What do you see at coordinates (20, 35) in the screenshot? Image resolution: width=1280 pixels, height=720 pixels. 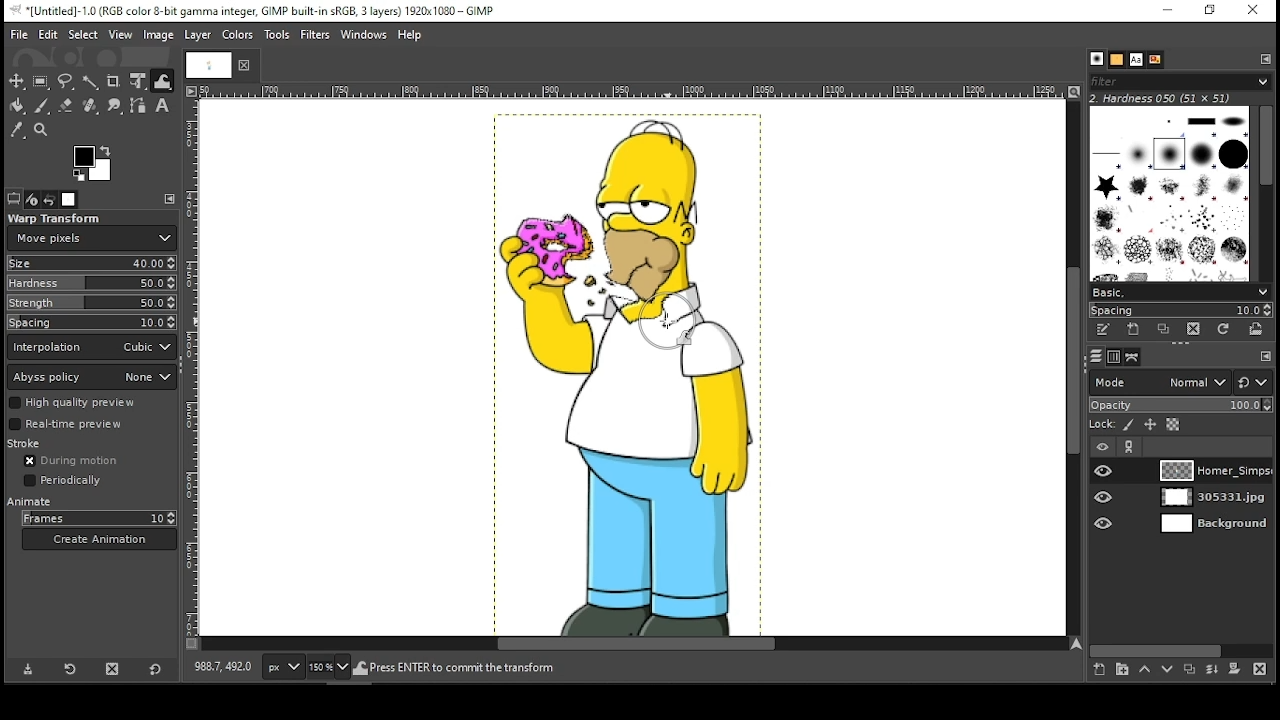 I see `file` at bounding box center [20, 35].